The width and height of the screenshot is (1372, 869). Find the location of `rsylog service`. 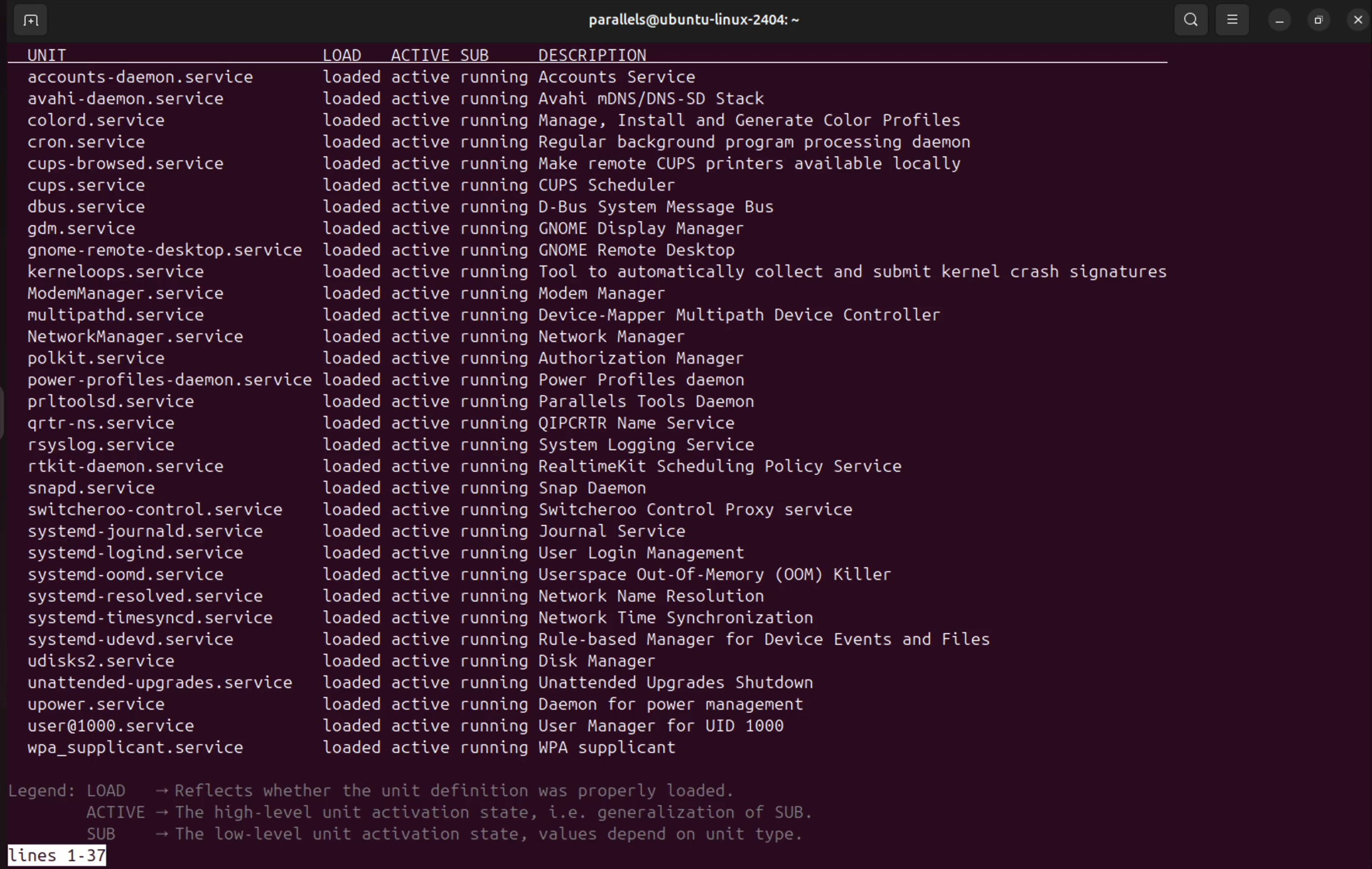

rsylog service is located at coordinates (115, 446).